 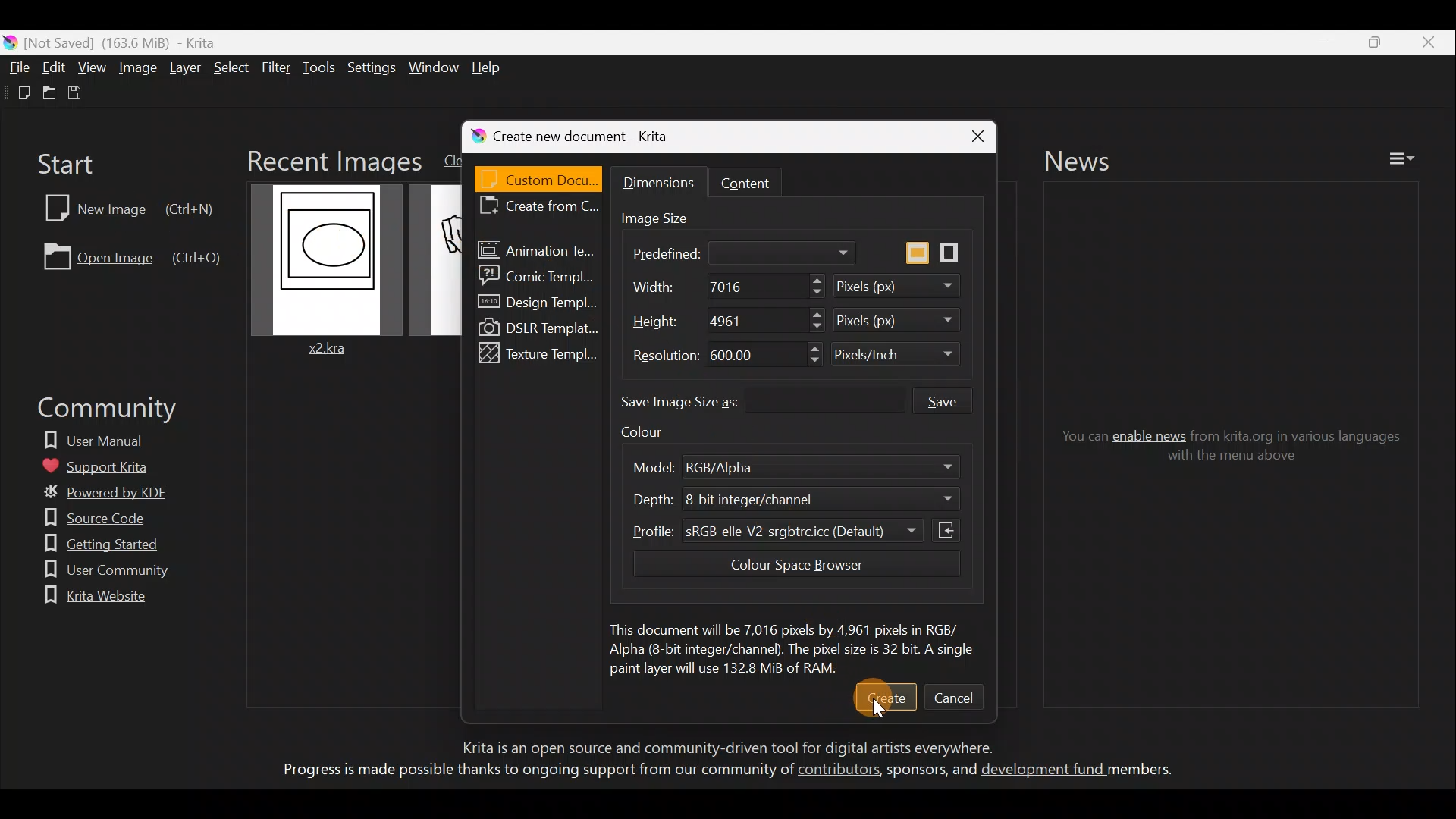 I want to click on Content, so click(x=761, y=180).